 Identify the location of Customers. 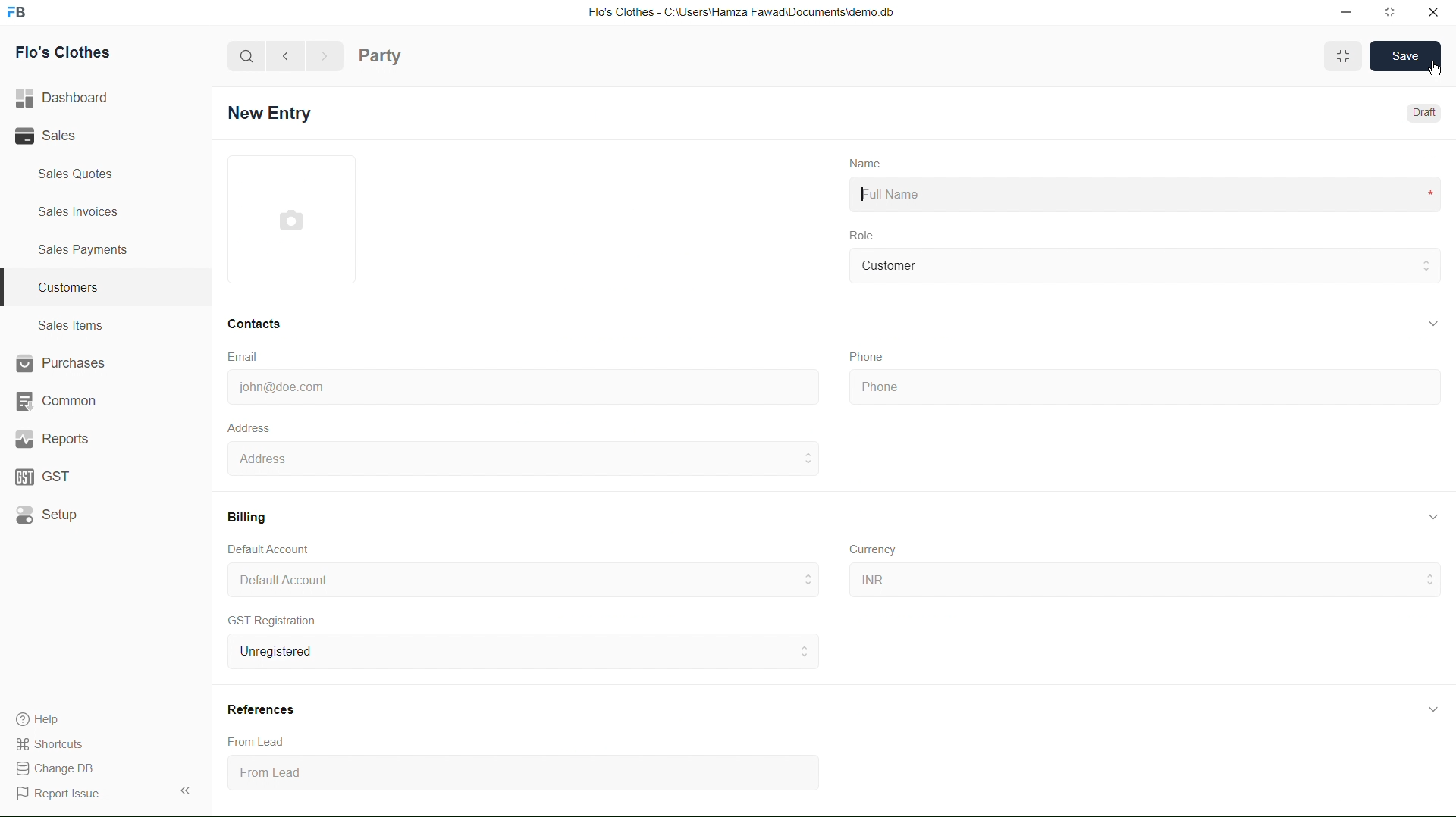
(64, 288).